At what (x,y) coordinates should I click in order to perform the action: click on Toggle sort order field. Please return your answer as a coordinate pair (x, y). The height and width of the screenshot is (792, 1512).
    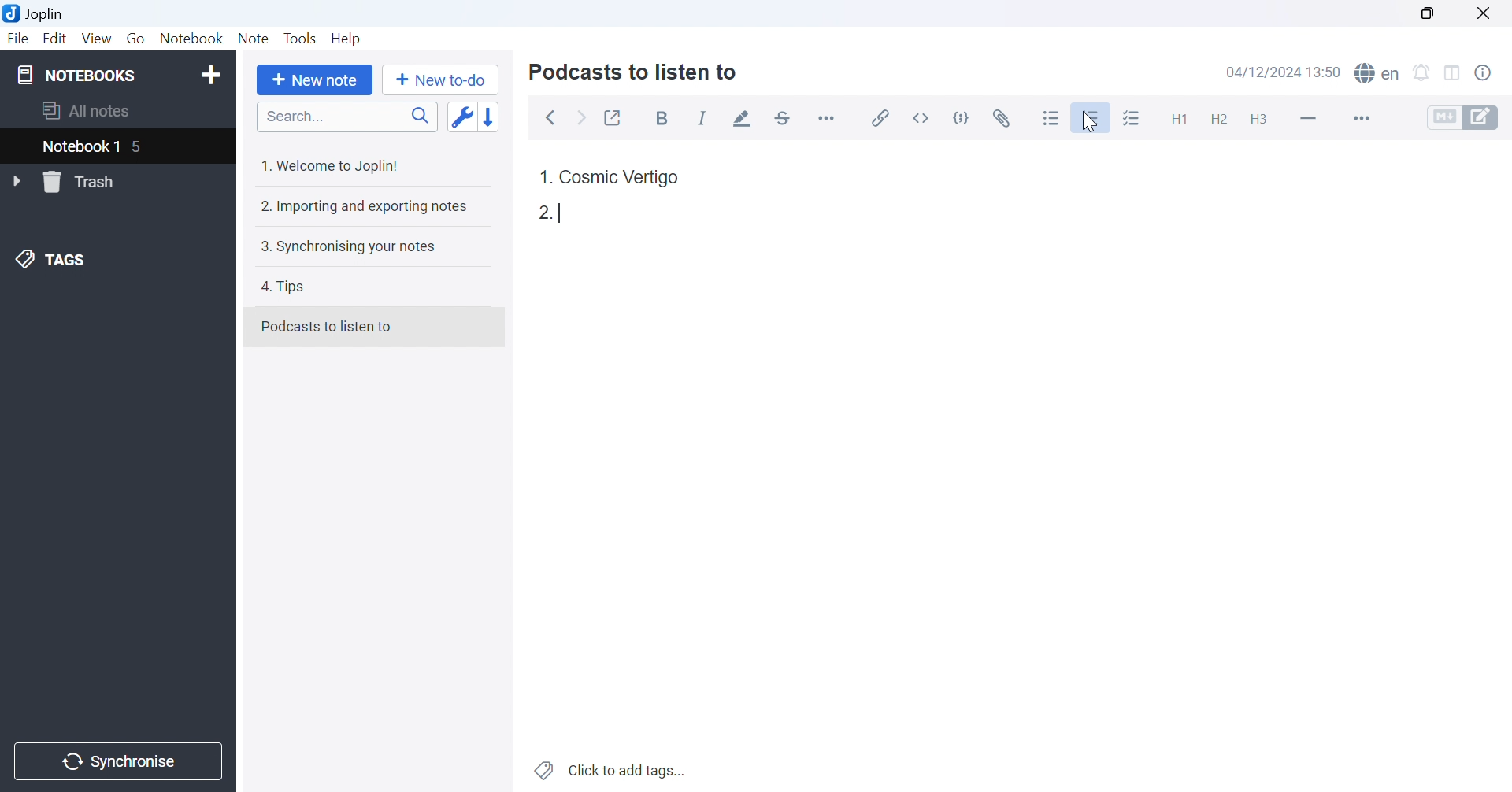
    Looking at the image, I should click on (461, 117).